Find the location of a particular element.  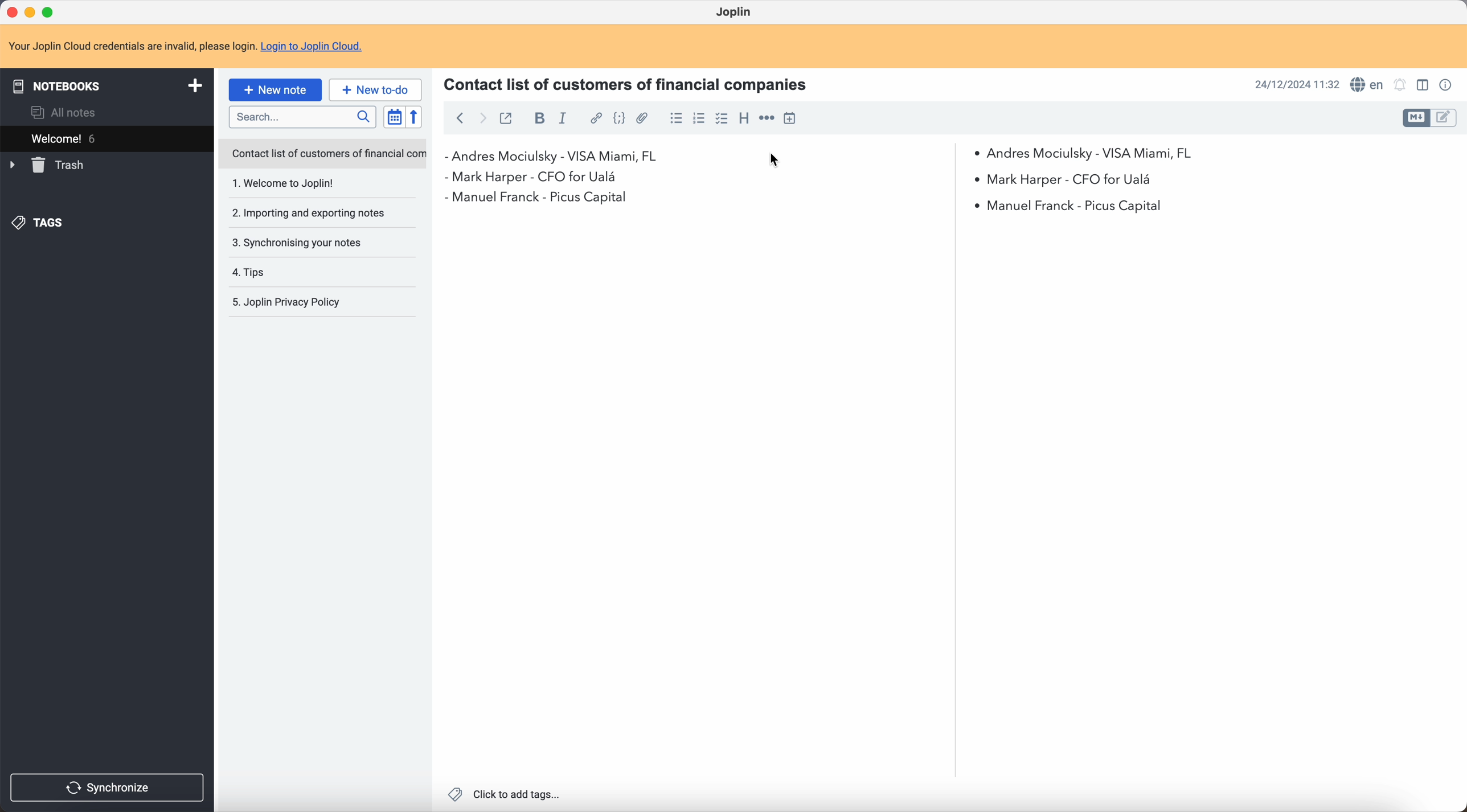

bold is located at coordinates (538, 118).